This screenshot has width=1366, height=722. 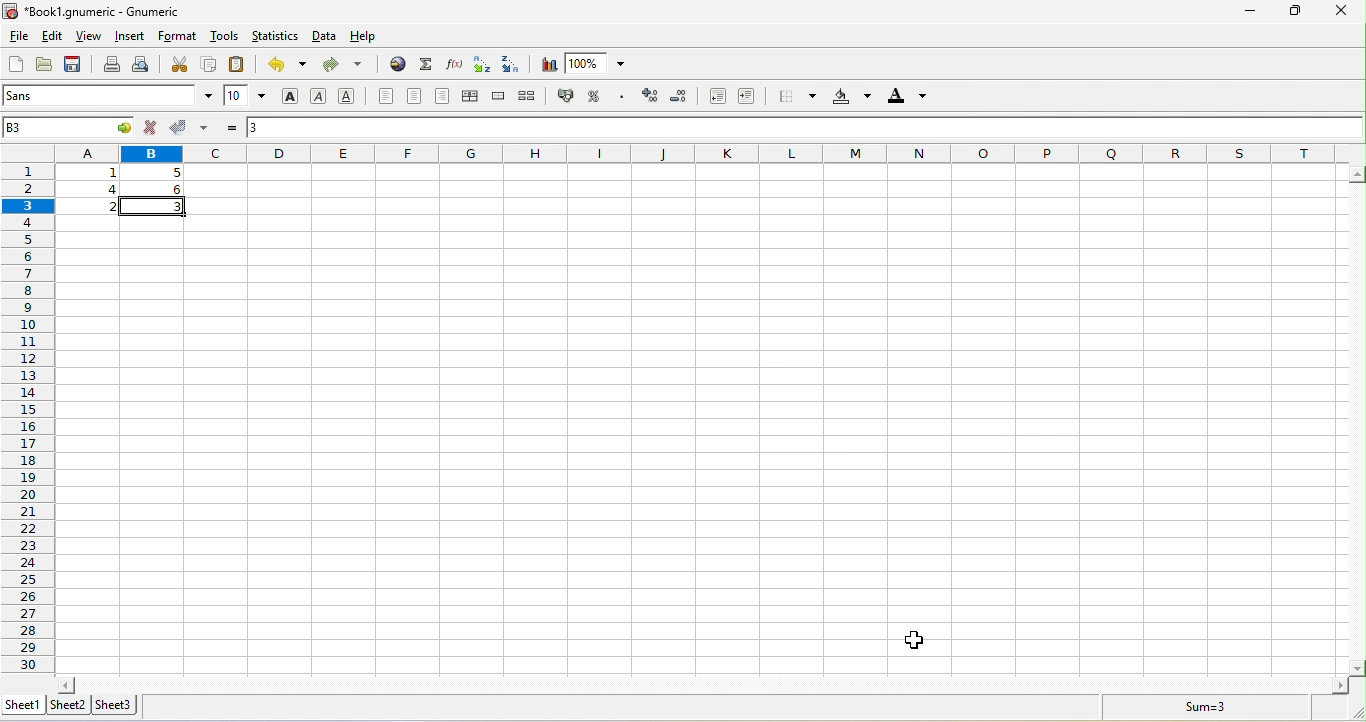 What do you see at coordinates (681, 98) in the screenshot?
I see `decrease the number` at bounding box center [681, 98].